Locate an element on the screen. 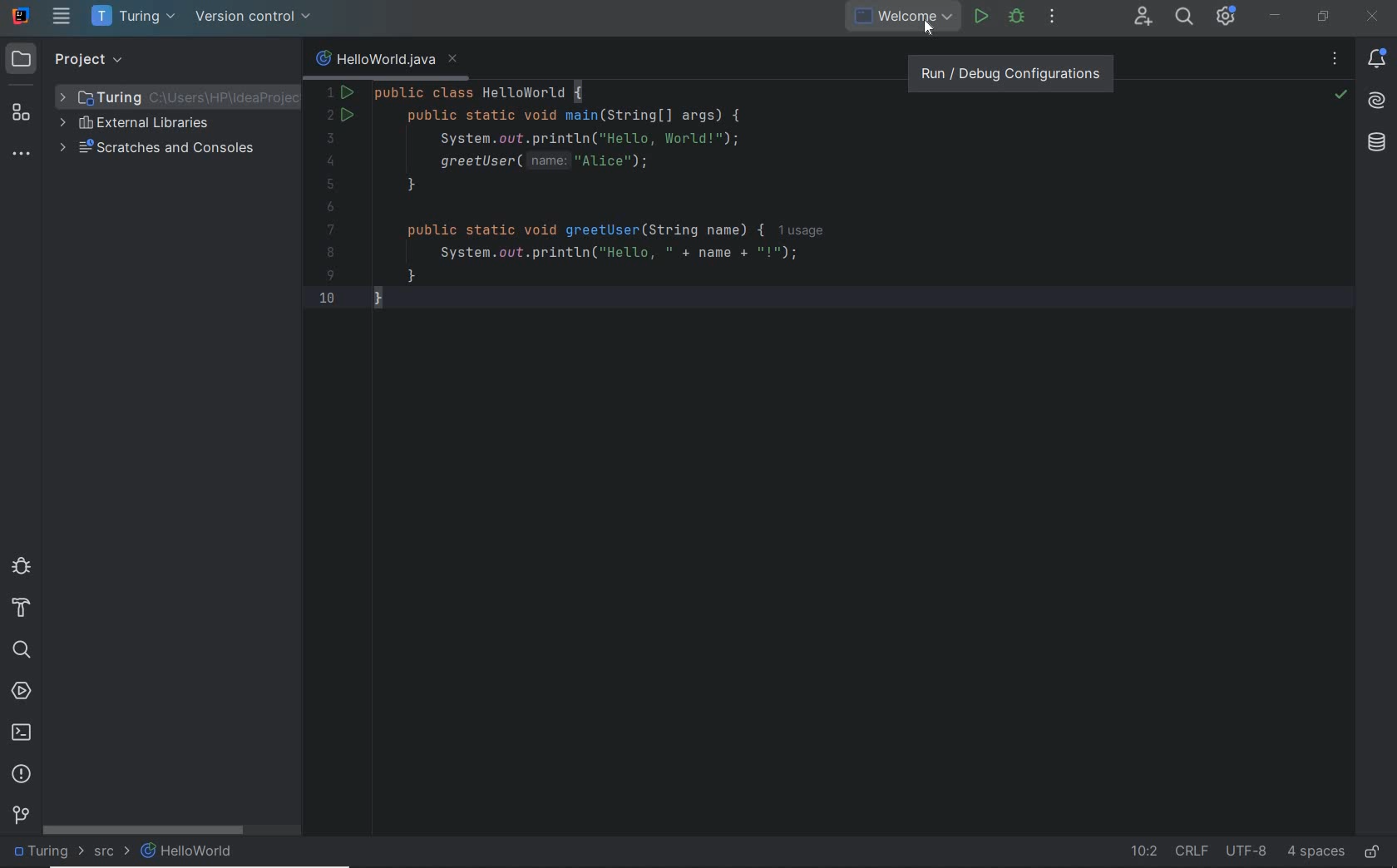 The image size is (1397, 868). make file ready only is located at coordinates (1373, 853).